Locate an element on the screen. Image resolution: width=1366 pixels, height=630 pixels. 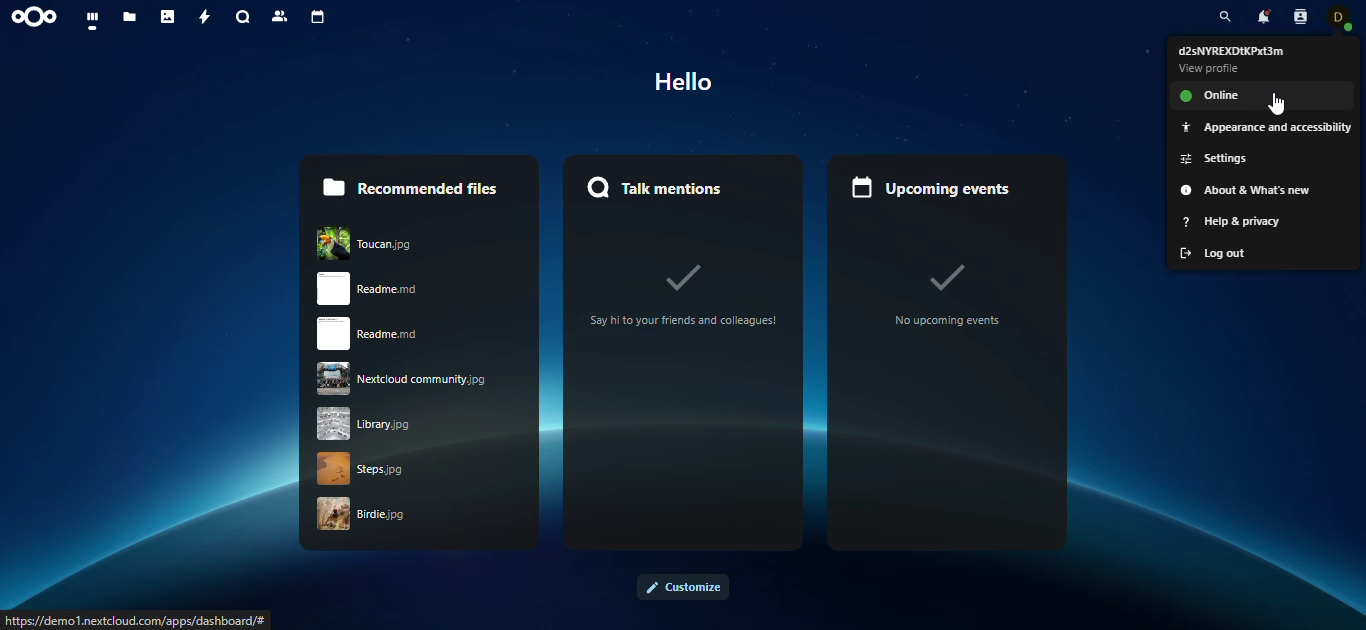
nextcloud is located at coordinates (38, 17).